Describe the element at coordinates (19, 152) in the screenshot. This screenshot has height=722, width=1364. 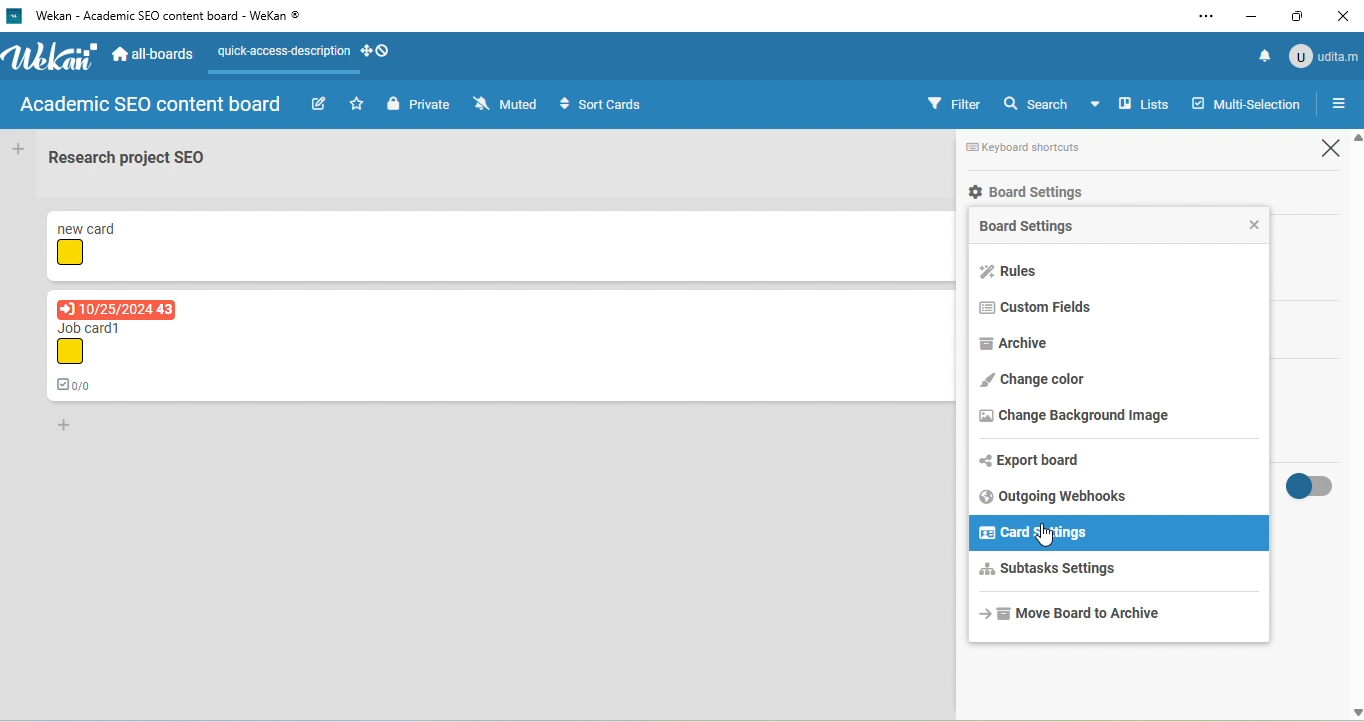
I see `add` at that location.